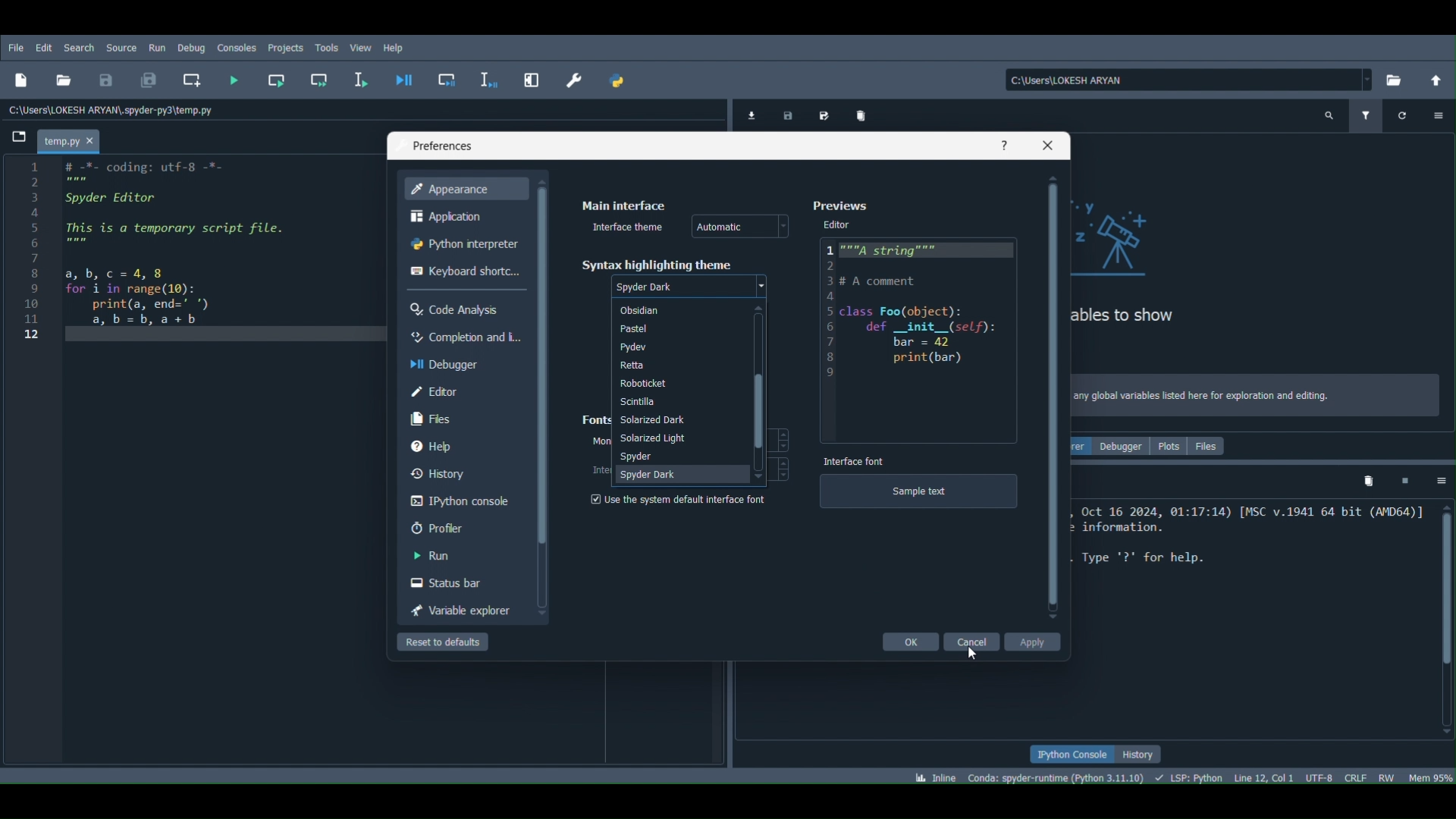  Describe the element at coordinates (457, 610) in the screenshot. I see `Variable explorer` at that location.